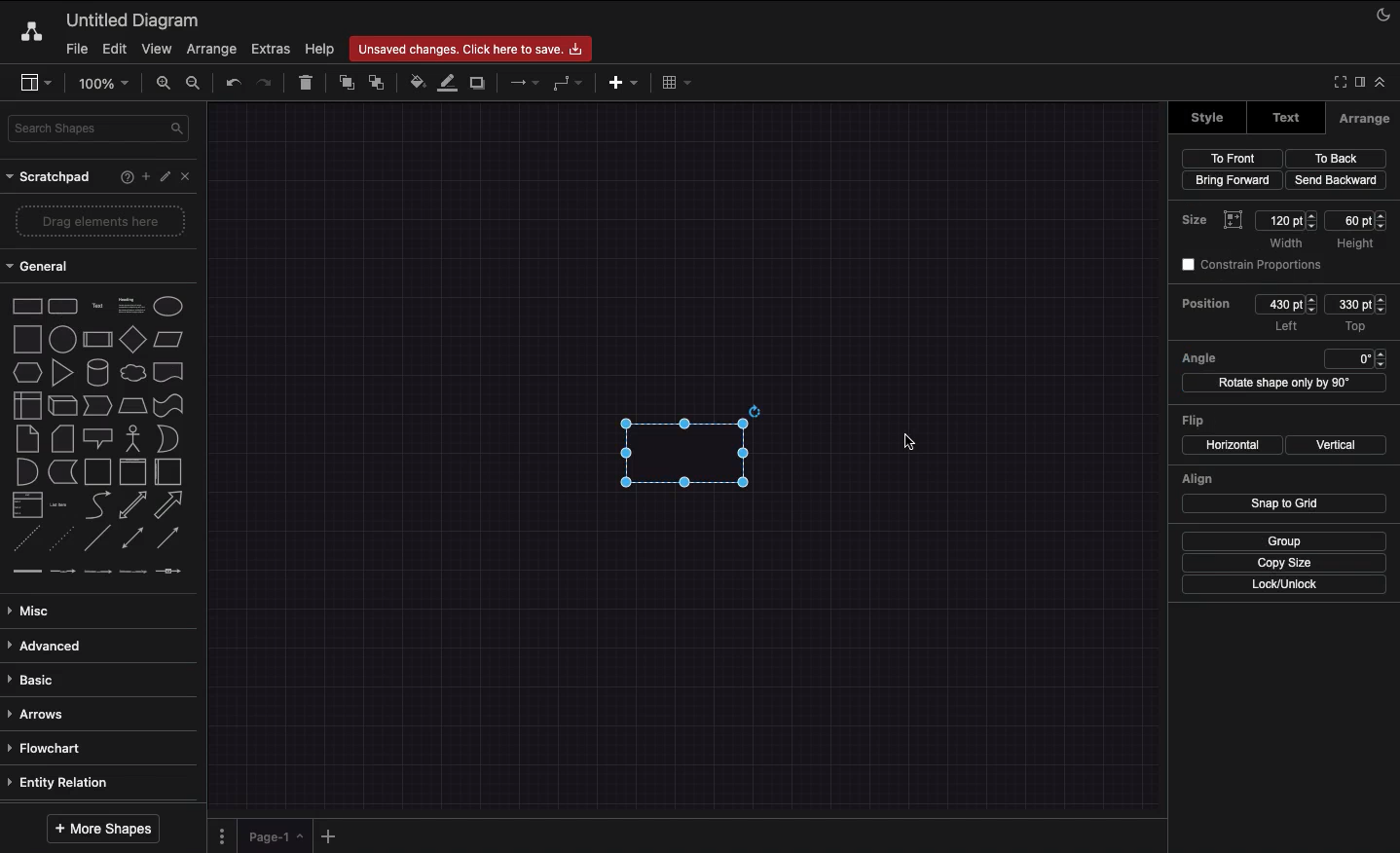 The height and width of the screenshot is (853, 1400). I want to click on Search shape, so click(95, 130).